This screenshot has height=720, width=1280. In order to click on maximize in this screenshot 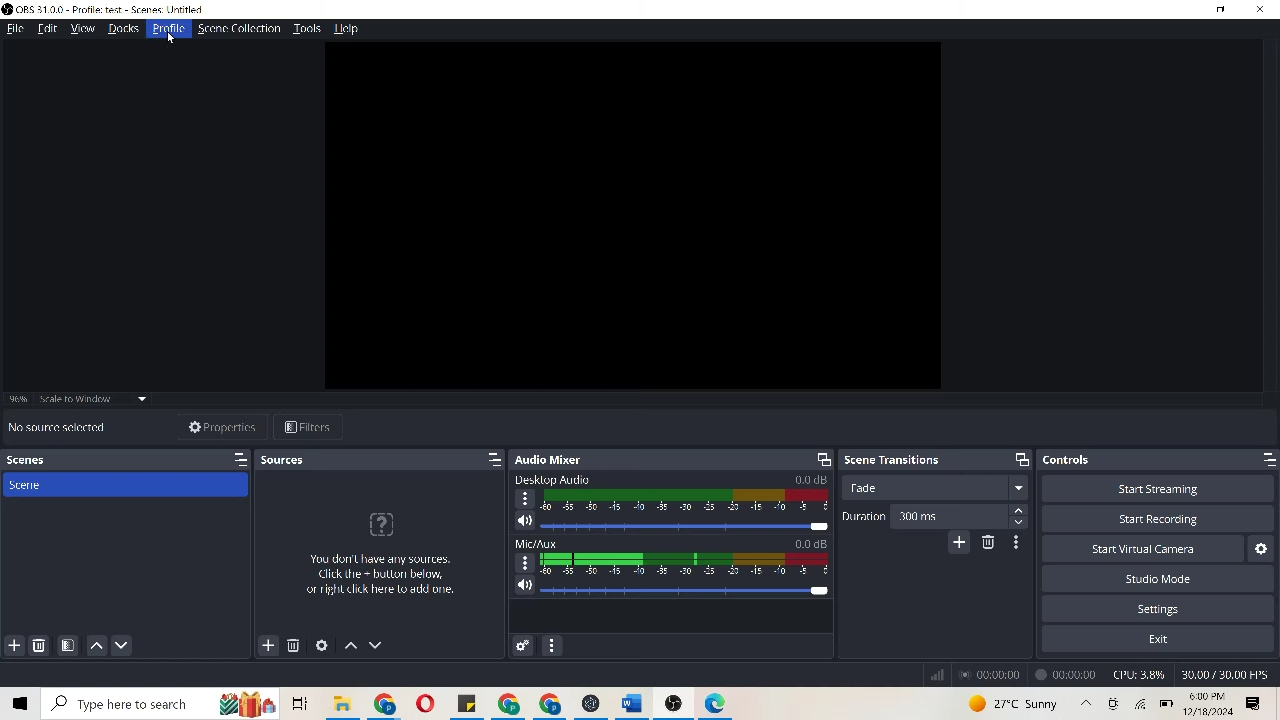, I will do `click(484, 459)`.